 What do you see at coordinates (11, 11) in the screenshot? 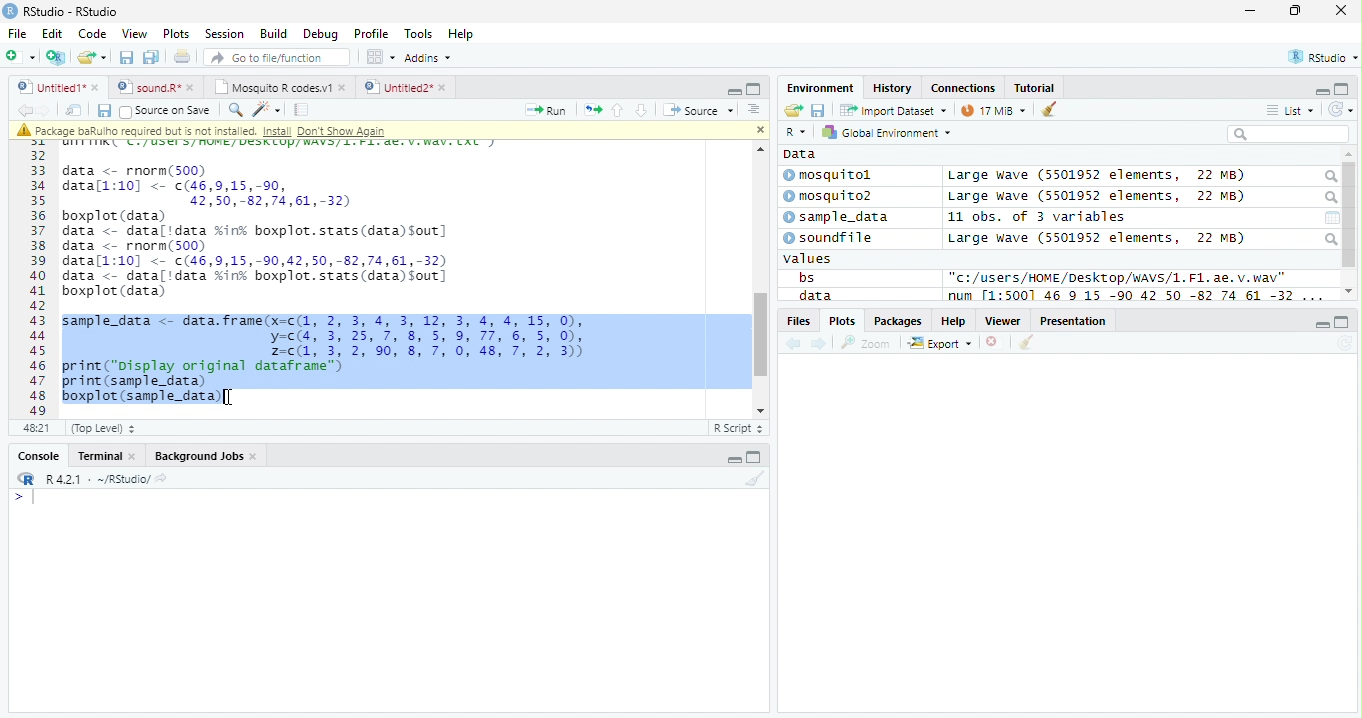
I see `Logo` at bounding box center [11, 11].